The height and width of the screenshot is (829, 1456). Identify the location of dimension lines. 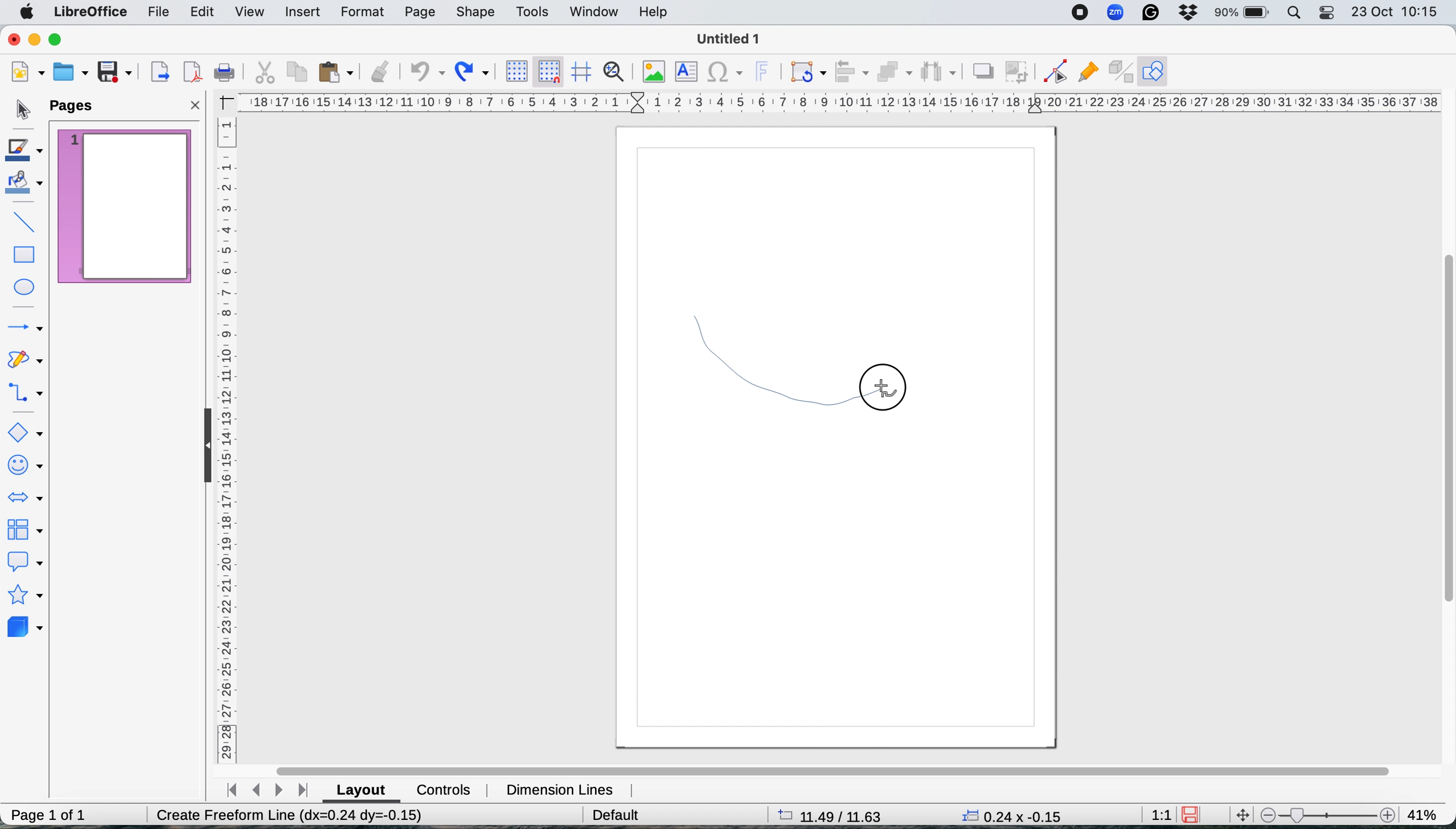
(564, 788).